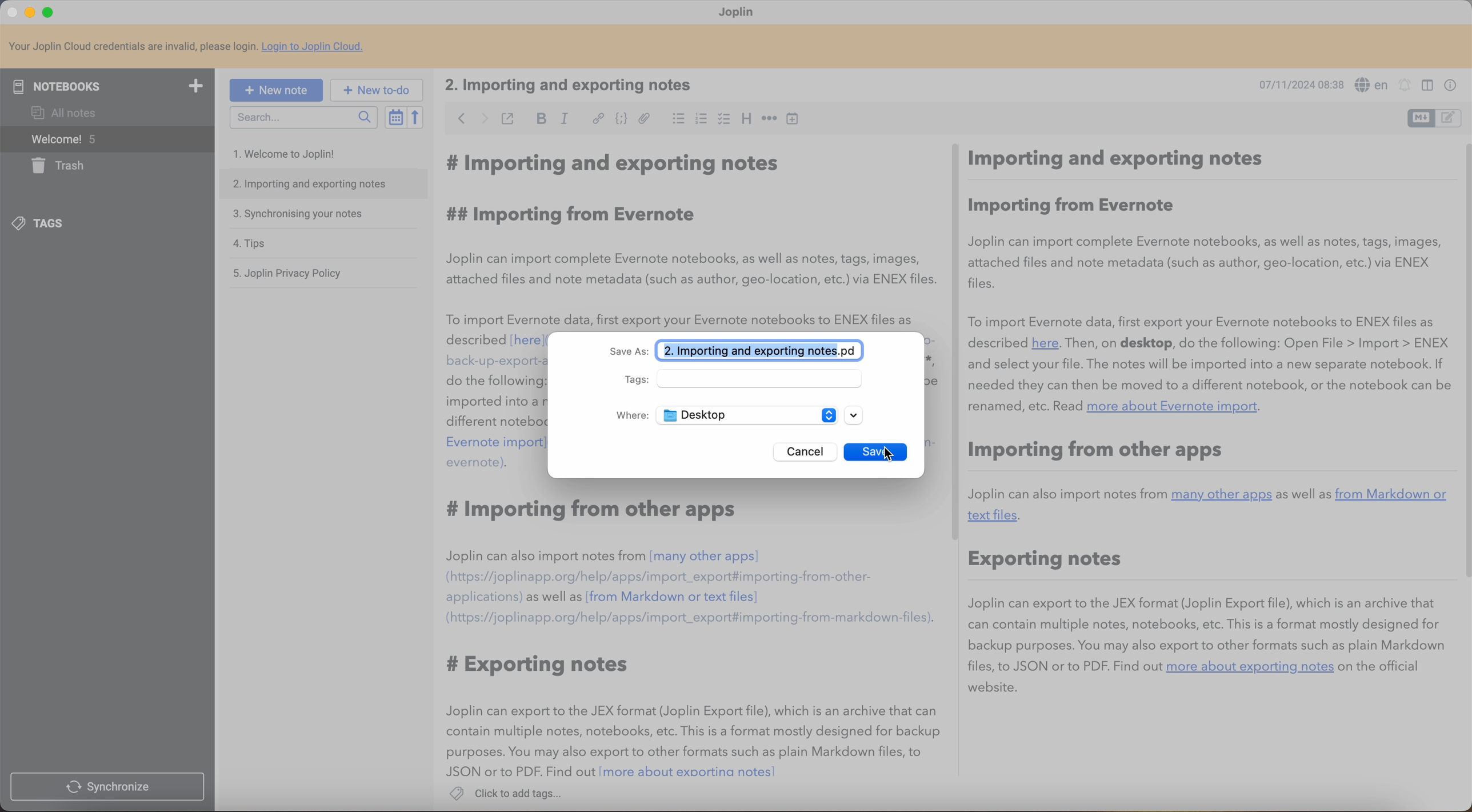 The image size is (1472, 812). I want to click on cancel, so click(802, 451).